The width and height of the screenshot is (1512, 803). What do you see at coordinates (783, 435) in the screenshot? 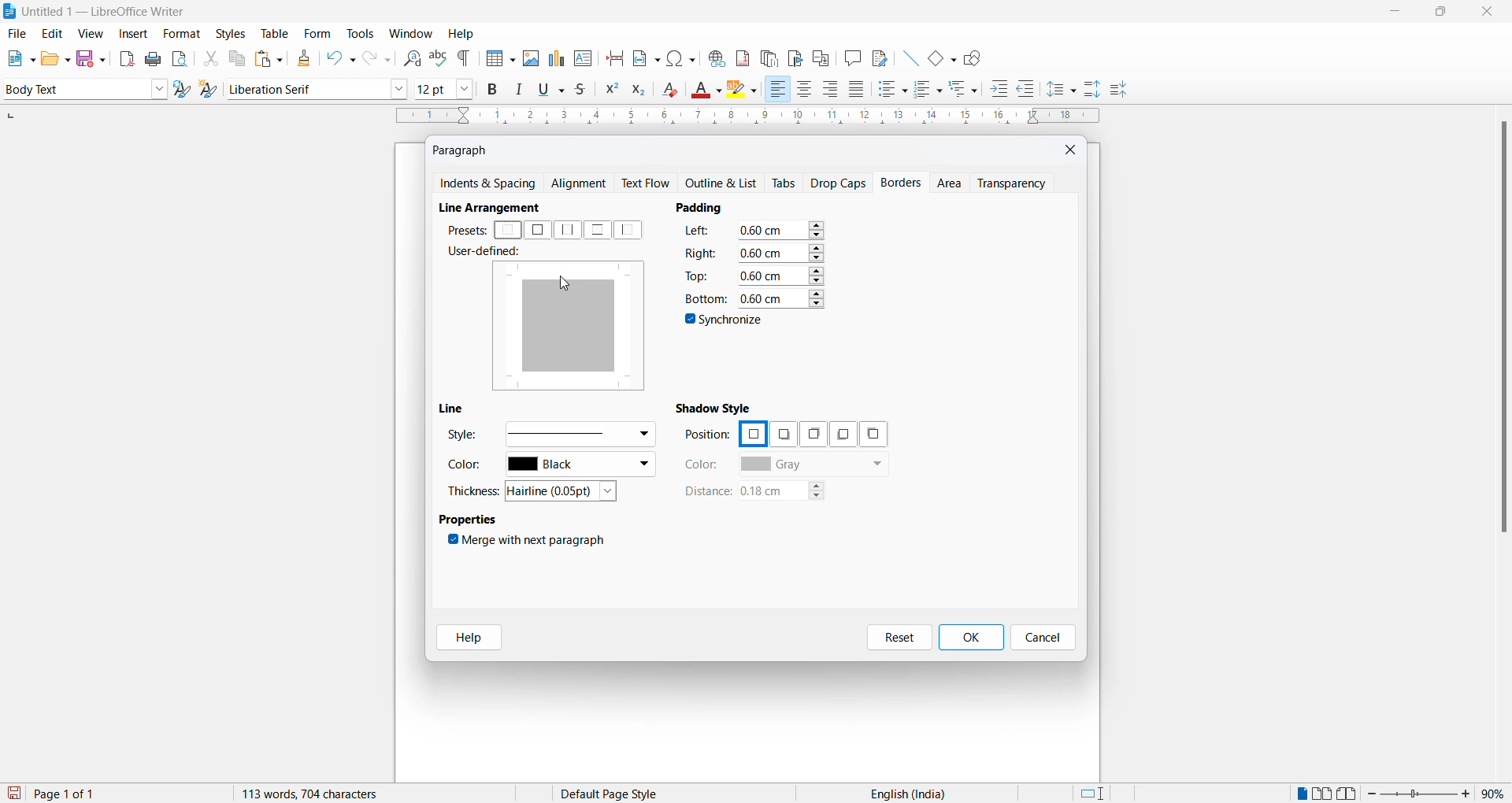
I see `position options` at bounding box center [783, 435].